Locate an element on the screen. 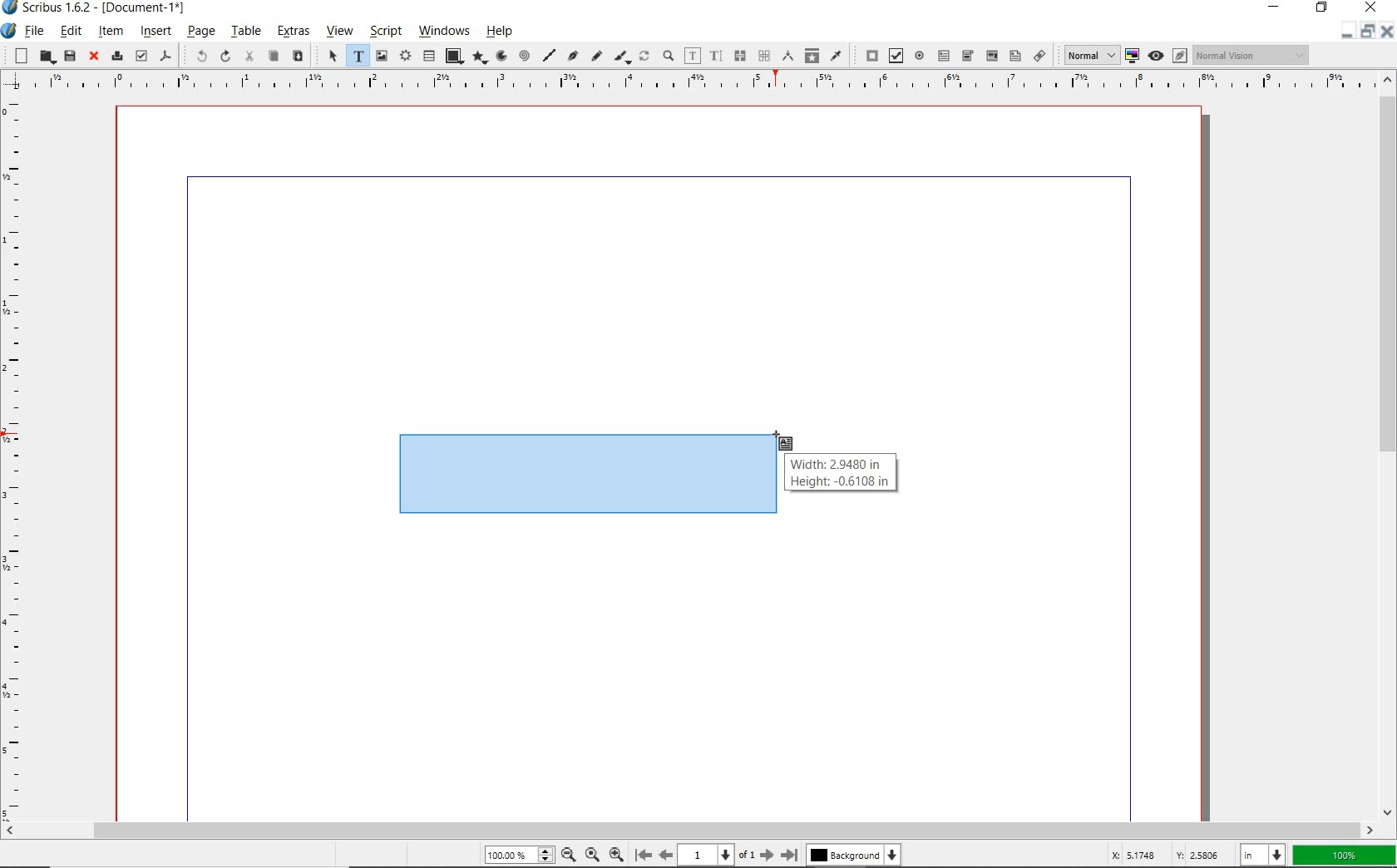 This screenshot has height=868, width=1397. Y: 2.5806 is located at coordinates (1200, 855).